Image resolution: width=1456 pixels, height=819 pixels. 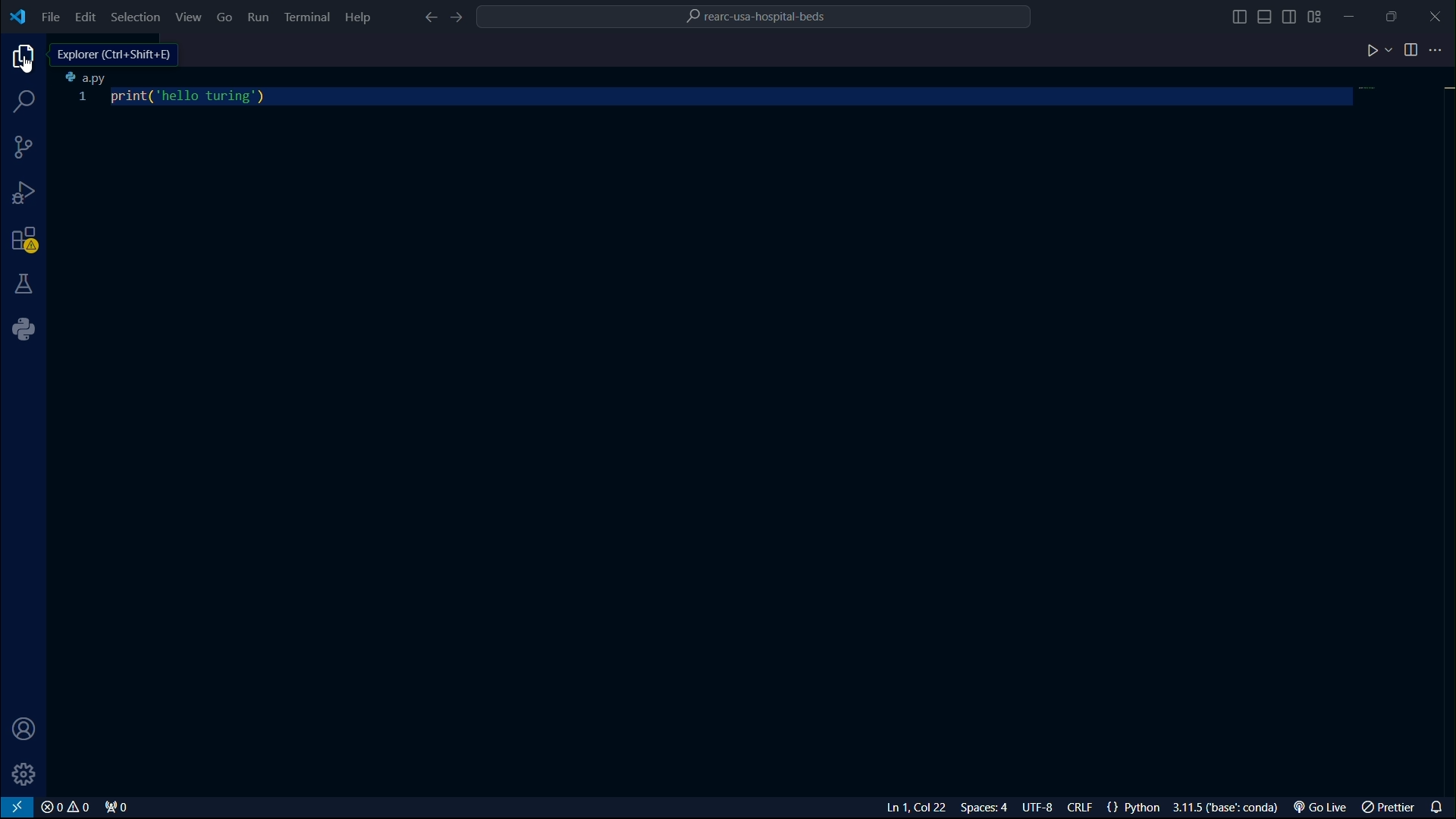 I want to click on run code, so click(x=1373, y=52).